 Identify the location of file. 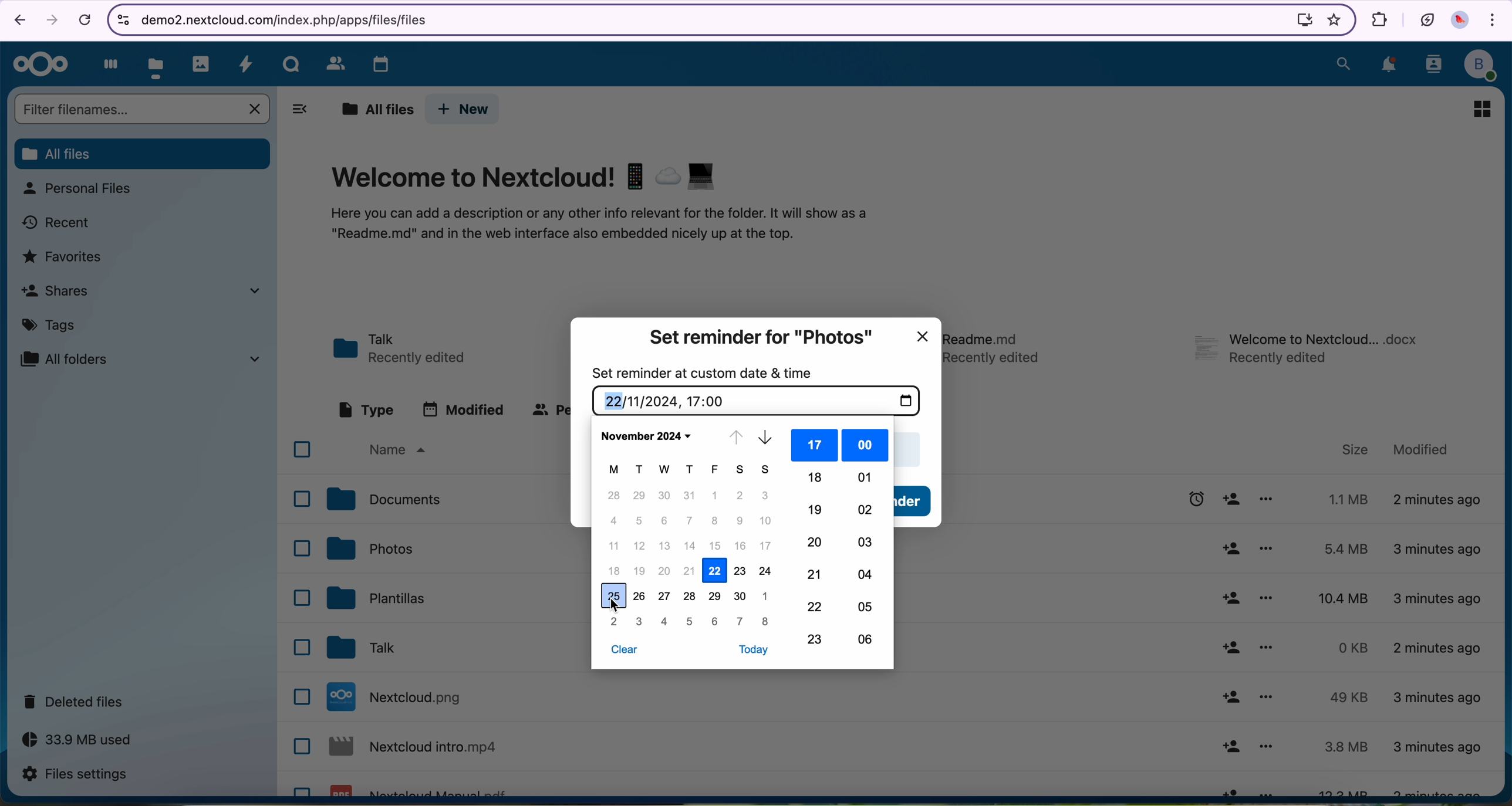
(1308, 352).